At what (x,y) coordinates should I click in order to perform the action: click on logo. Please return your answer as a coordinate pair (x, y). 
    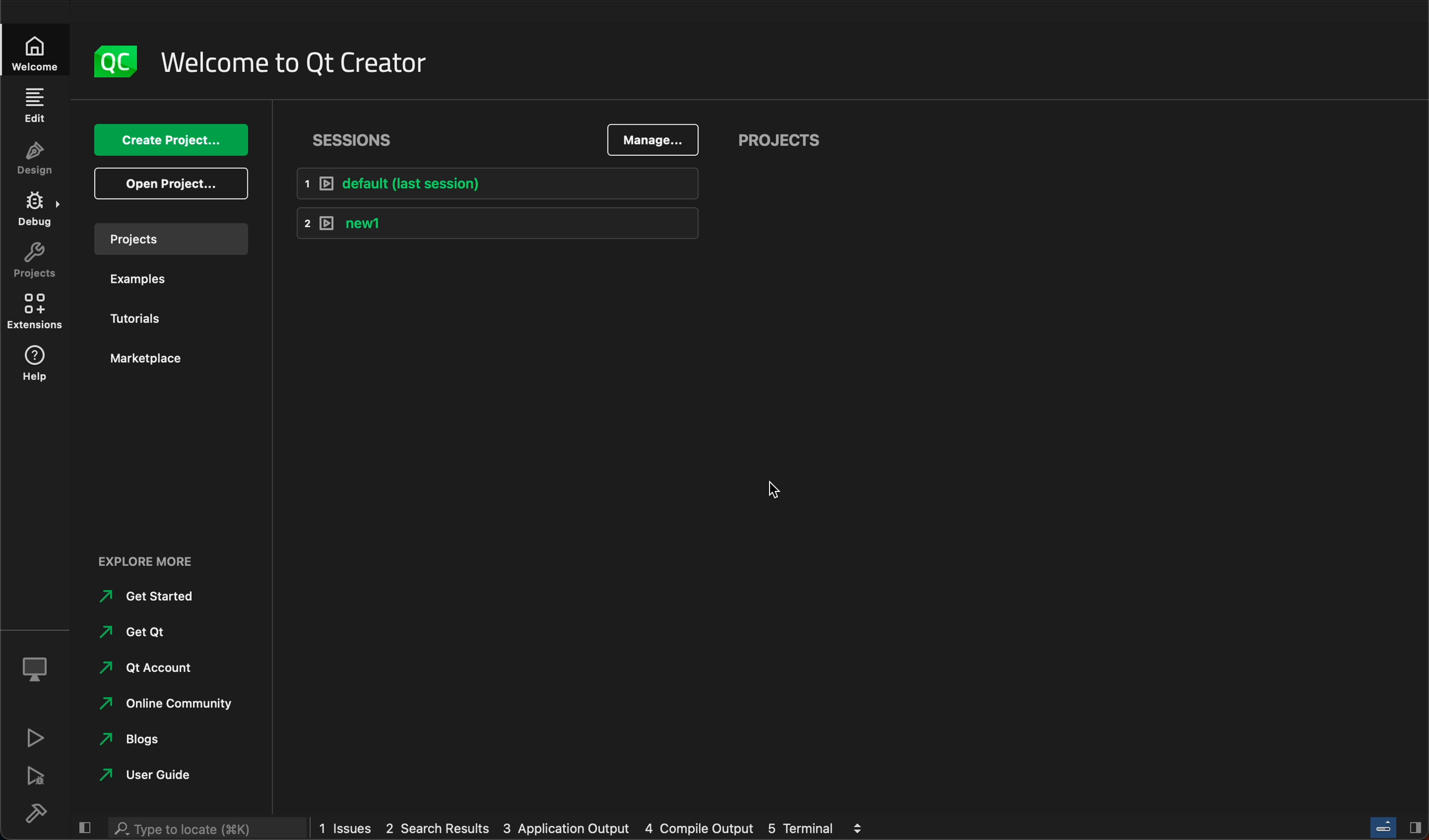
    Looking at the image, I should click on (117, 58).